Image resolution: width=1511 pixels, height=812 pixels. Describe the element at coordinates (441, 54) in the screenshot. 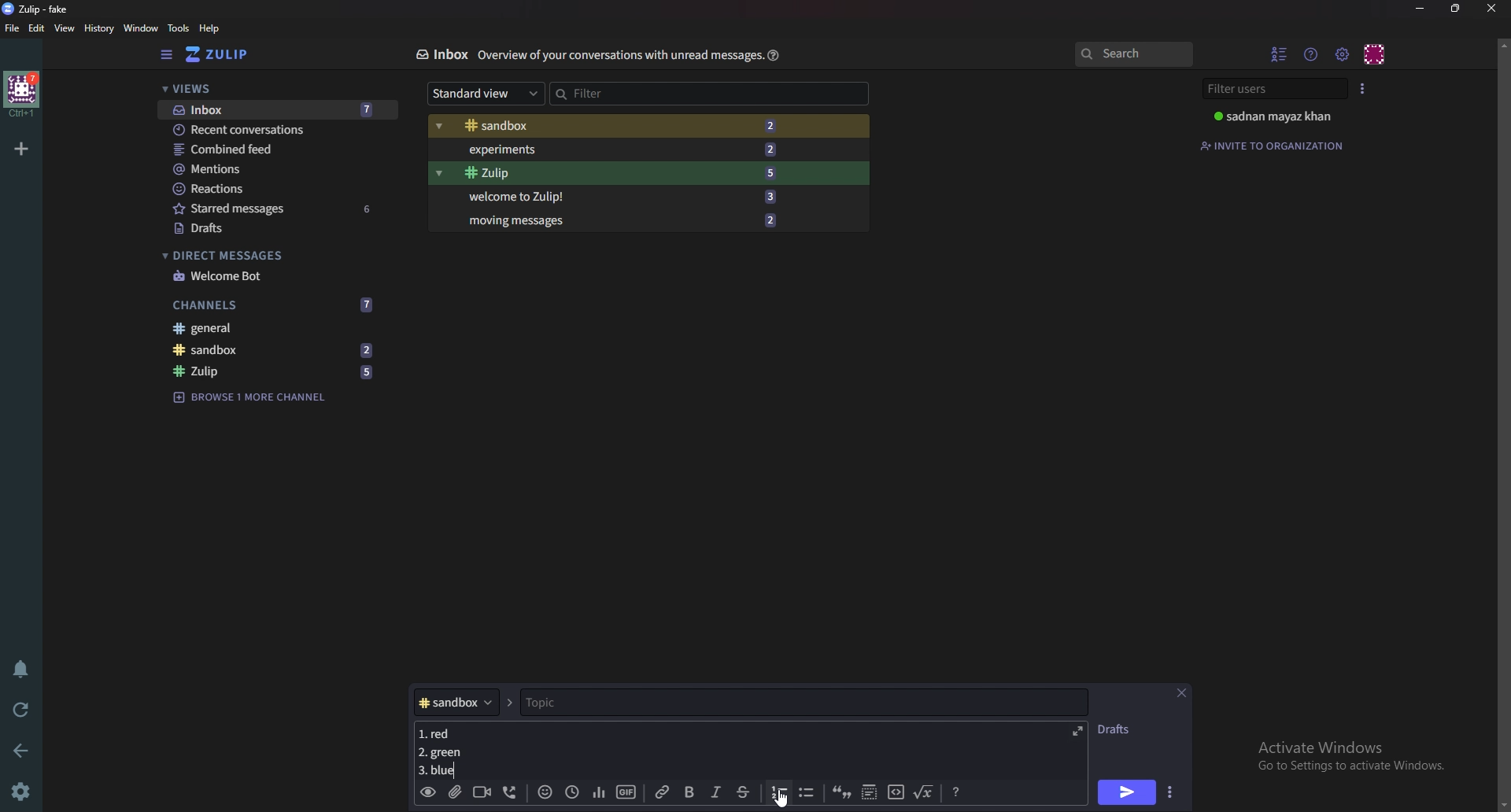

I see `Inbox` at that location.